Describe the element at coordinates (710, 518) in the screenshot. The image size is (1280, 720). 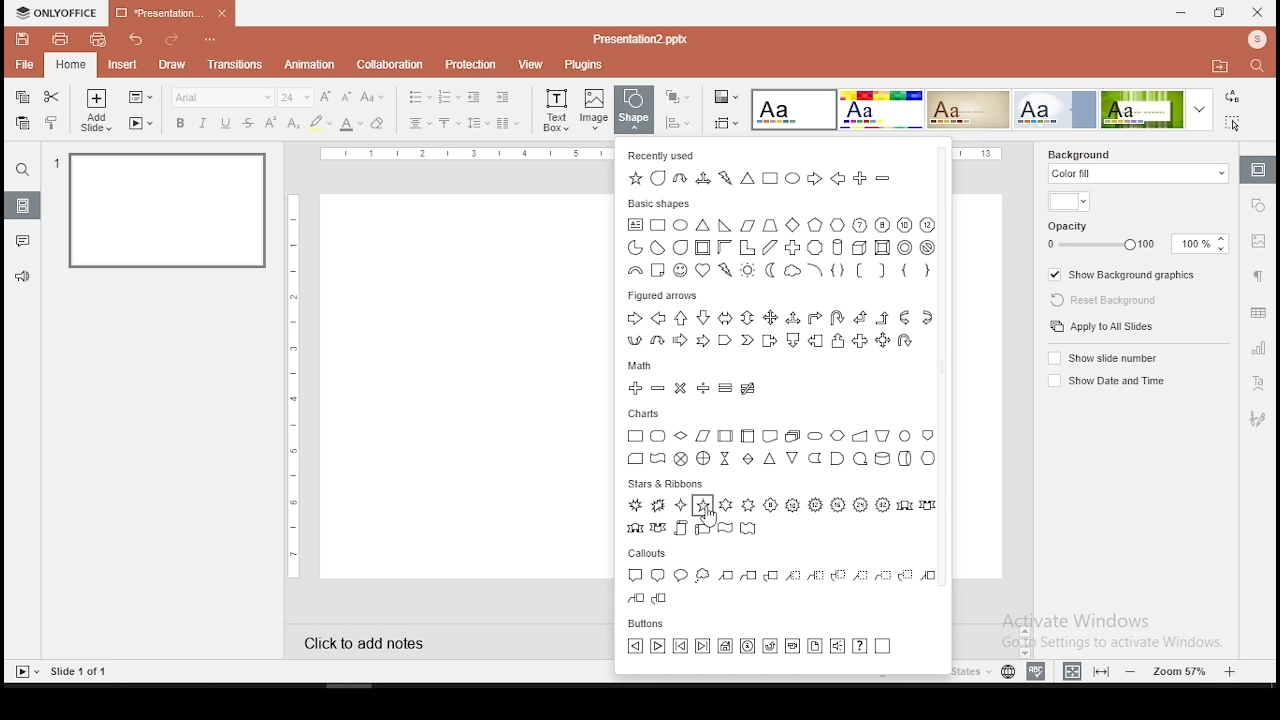
I see `mouse pointer` at that location.